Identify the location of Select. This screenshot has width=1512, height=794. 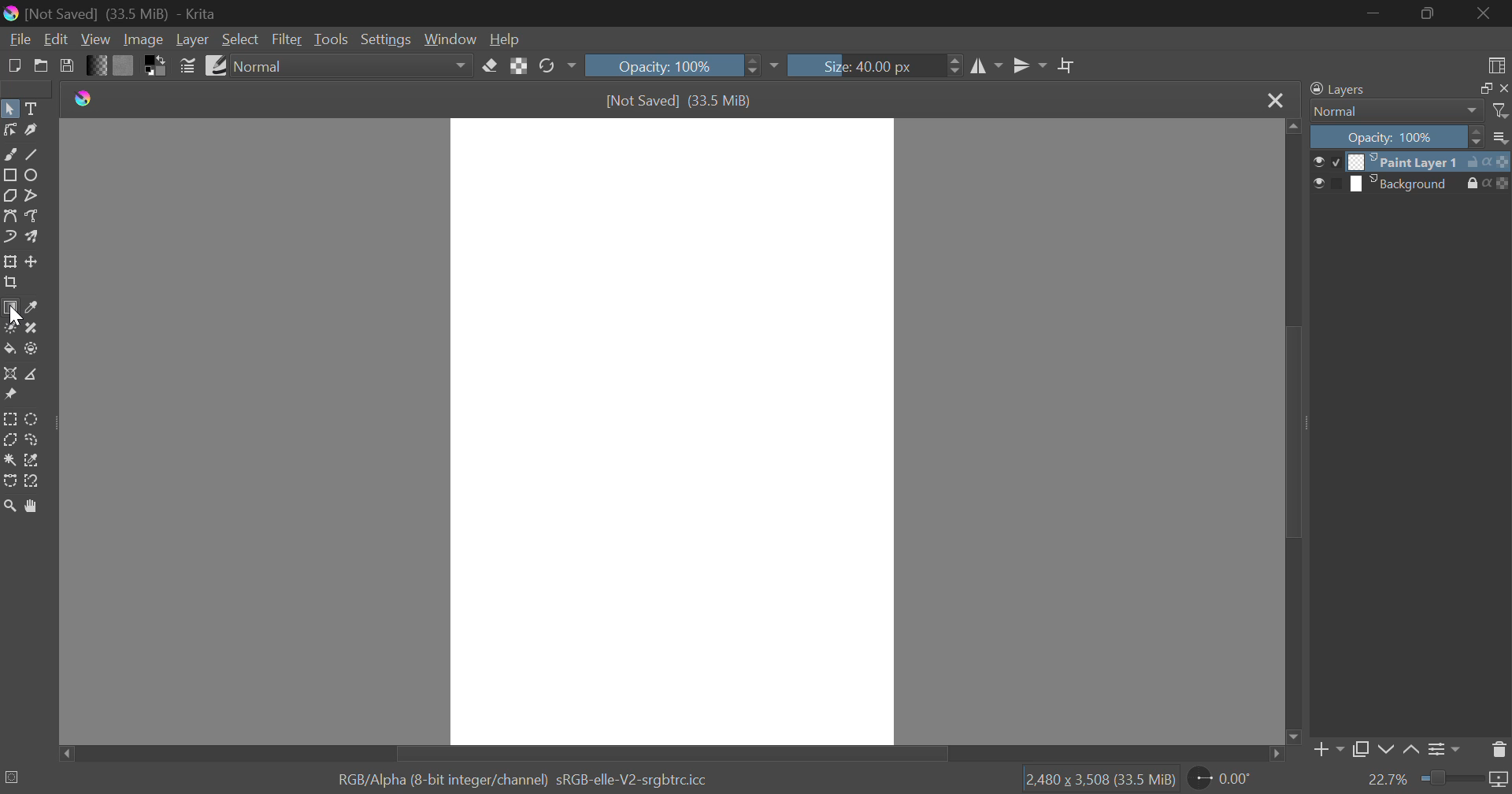
(9, 107).